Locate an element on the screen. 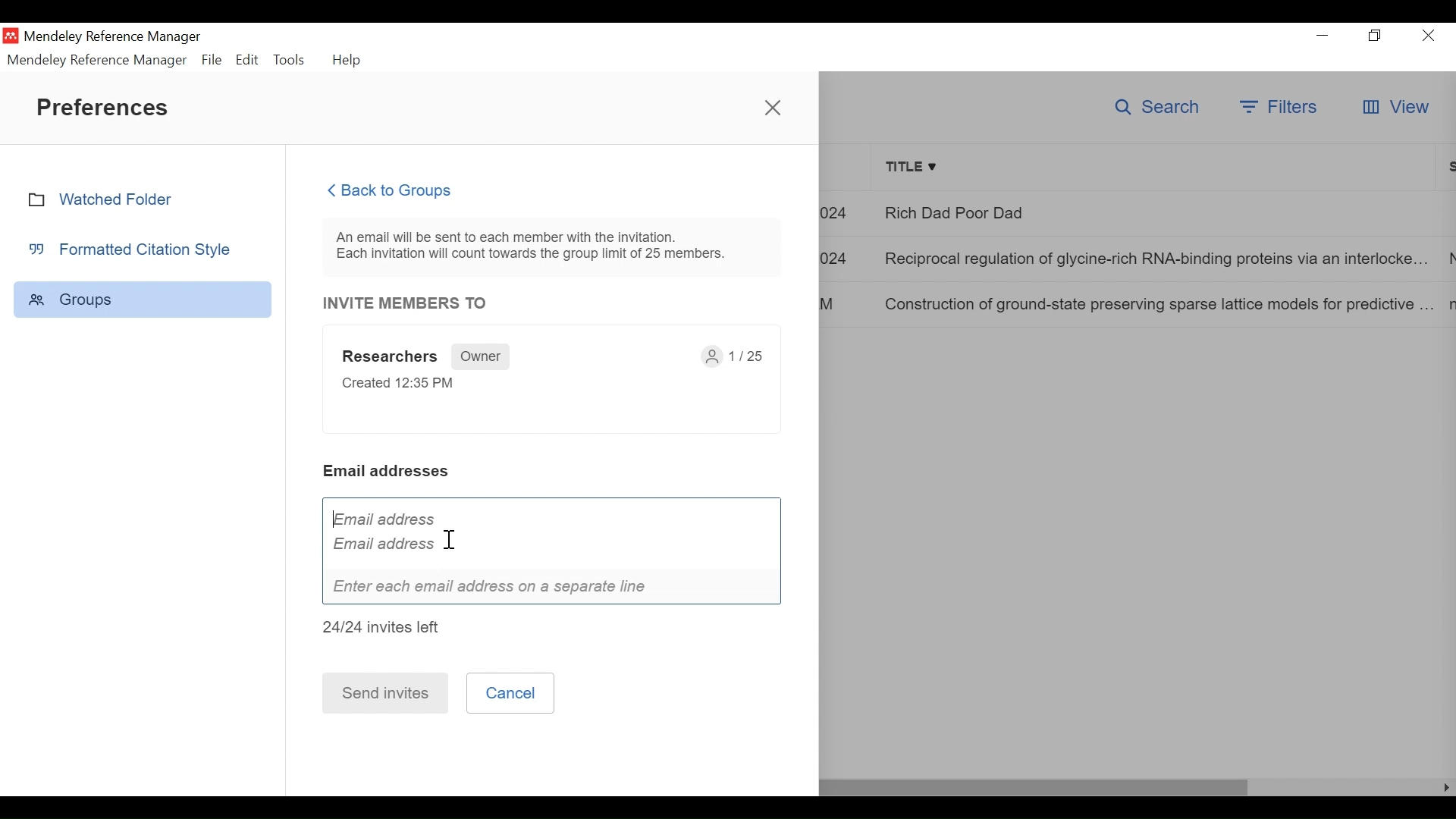  Email address
Email address I
Enter each email address on a separate line is located at coordinates (549, 554).